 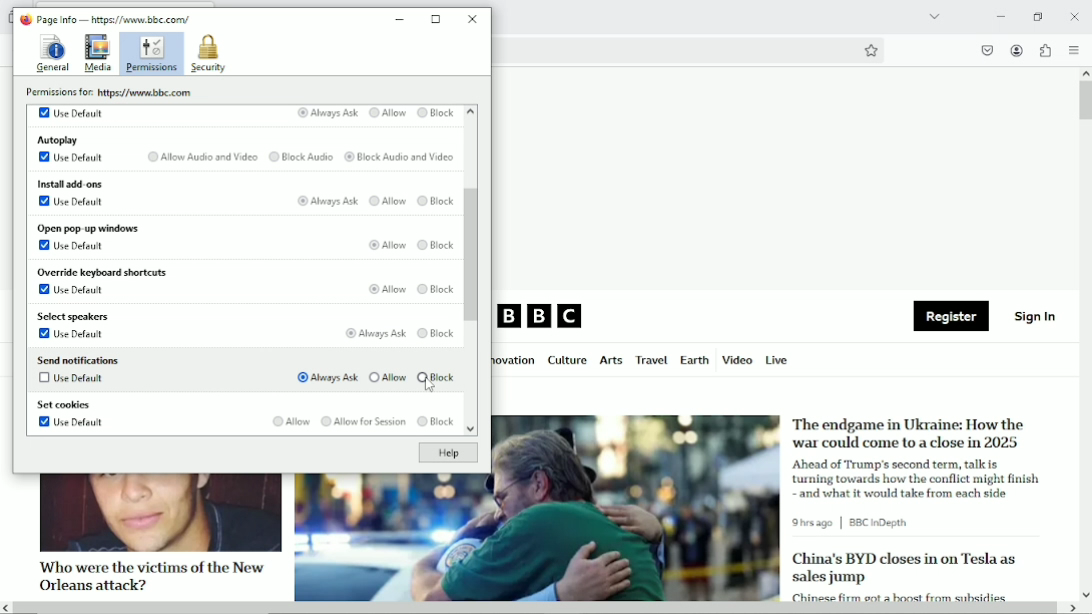 I want to click on Allow, so click(x=289, y=421).